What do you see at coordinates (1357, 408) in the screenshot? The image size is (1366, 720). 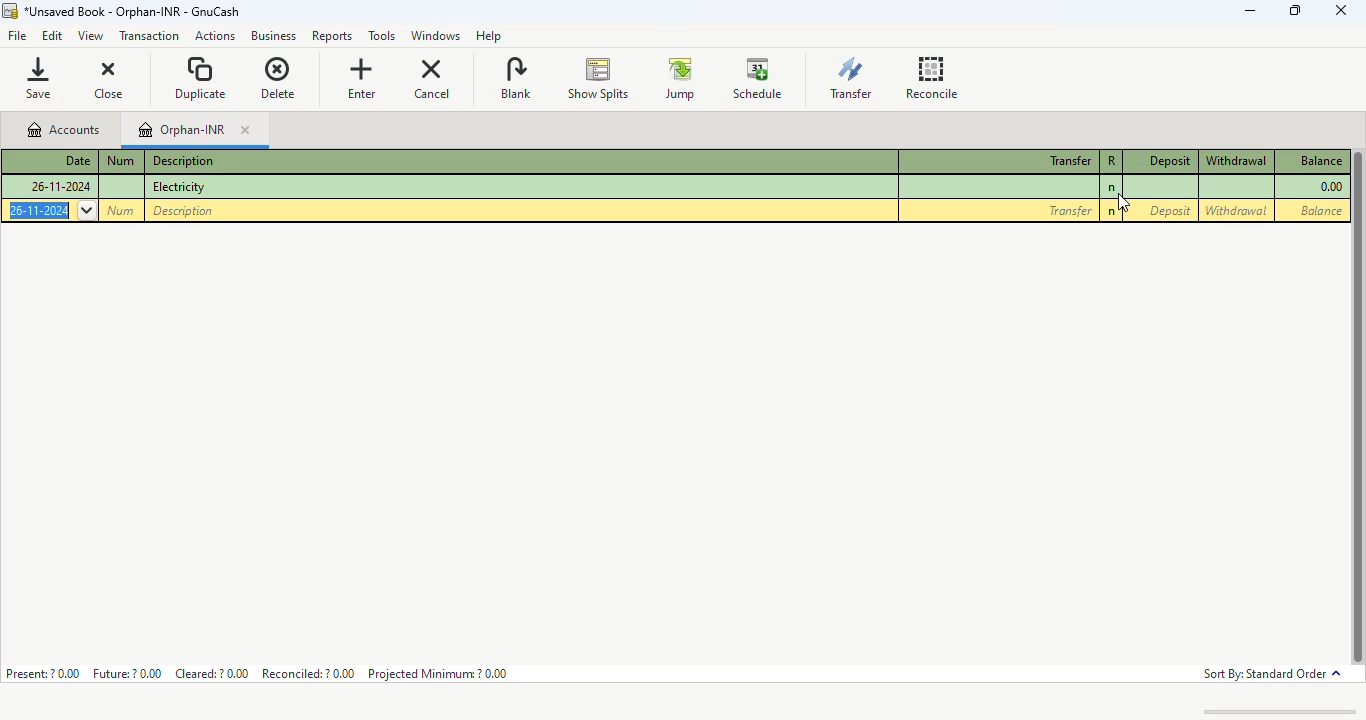 I see `vertical scroll bar` at bounding box center [1357, 408].